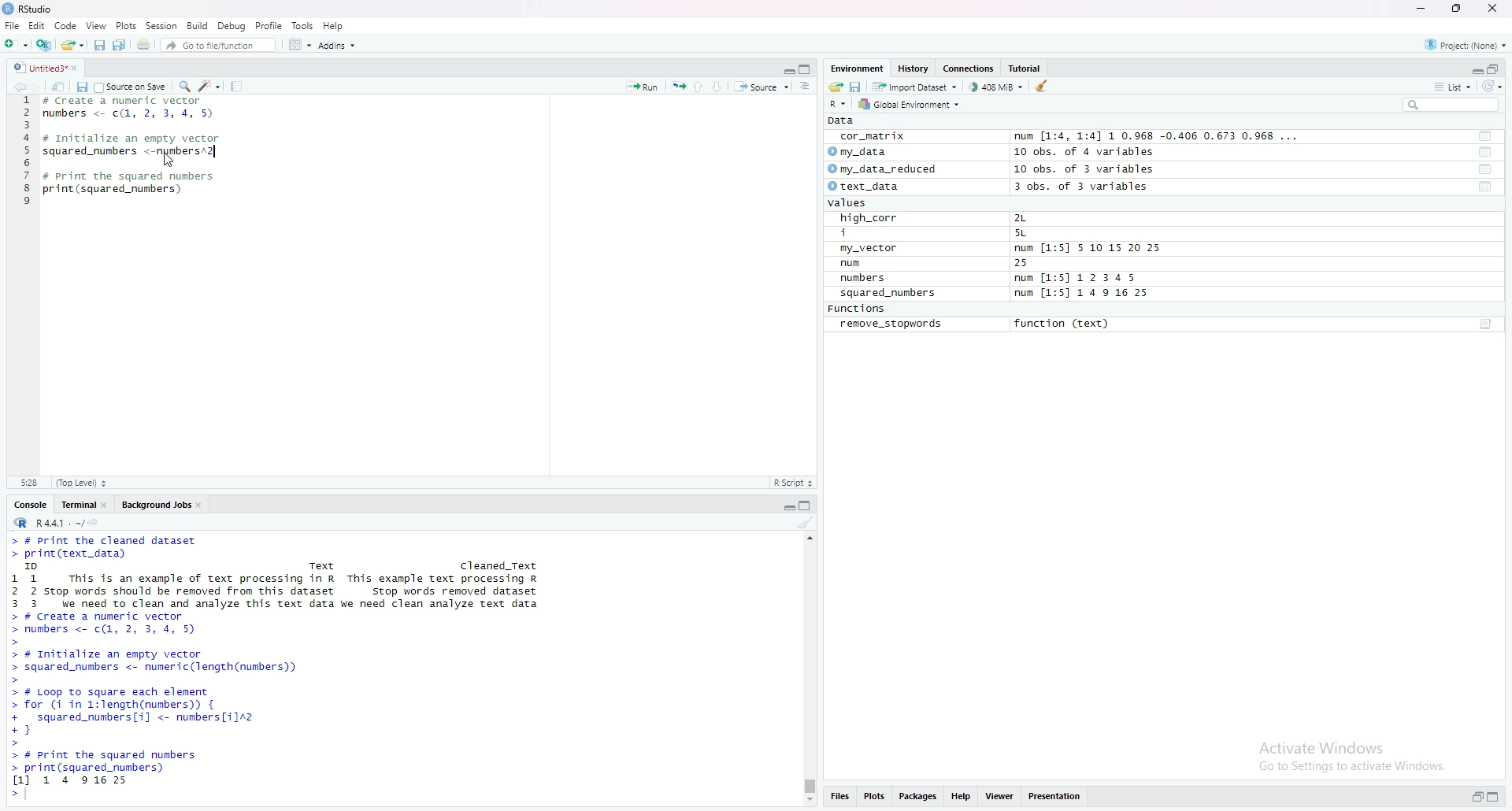 The width and height of the screenshot is (1512, 811). What do you see at coordinates (787, 68) in the screenshot?
I see `minimize` at bounding box center [787, 68].